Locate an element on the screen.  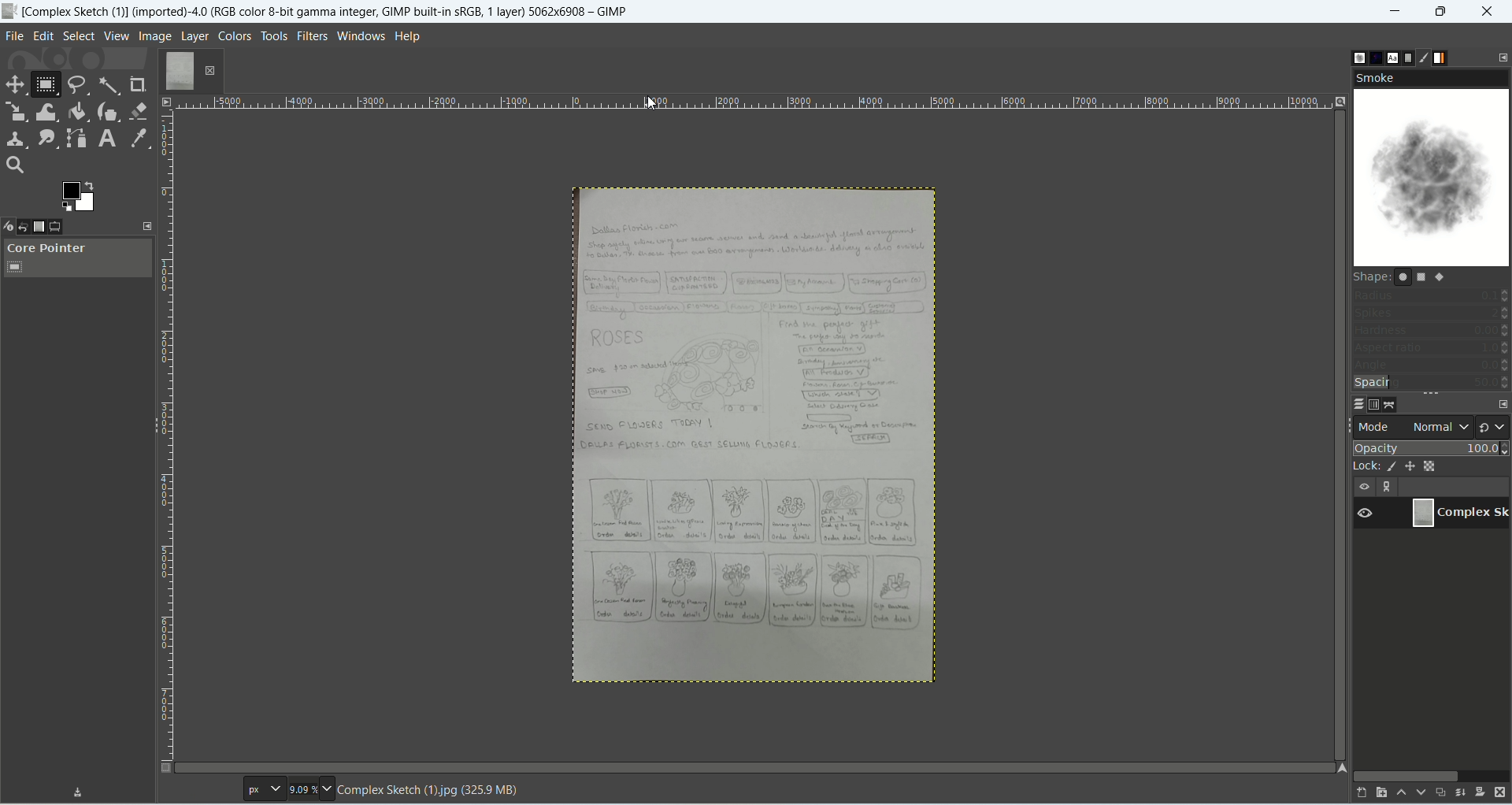
merge this layer is located at coordinates (1460, 794).